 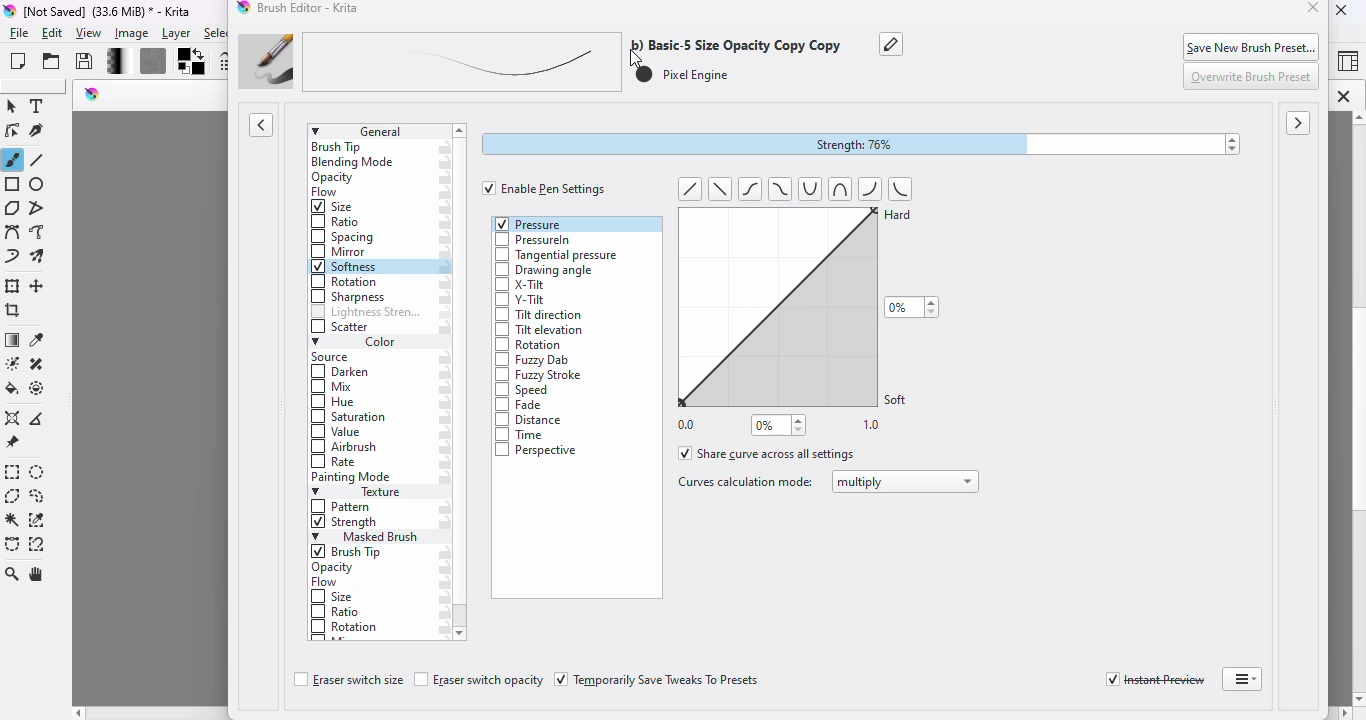 What do you see at coordinates (13, 286) in the screenshot?
I see `transform a layer or a section` at bounding box center [13, 286].